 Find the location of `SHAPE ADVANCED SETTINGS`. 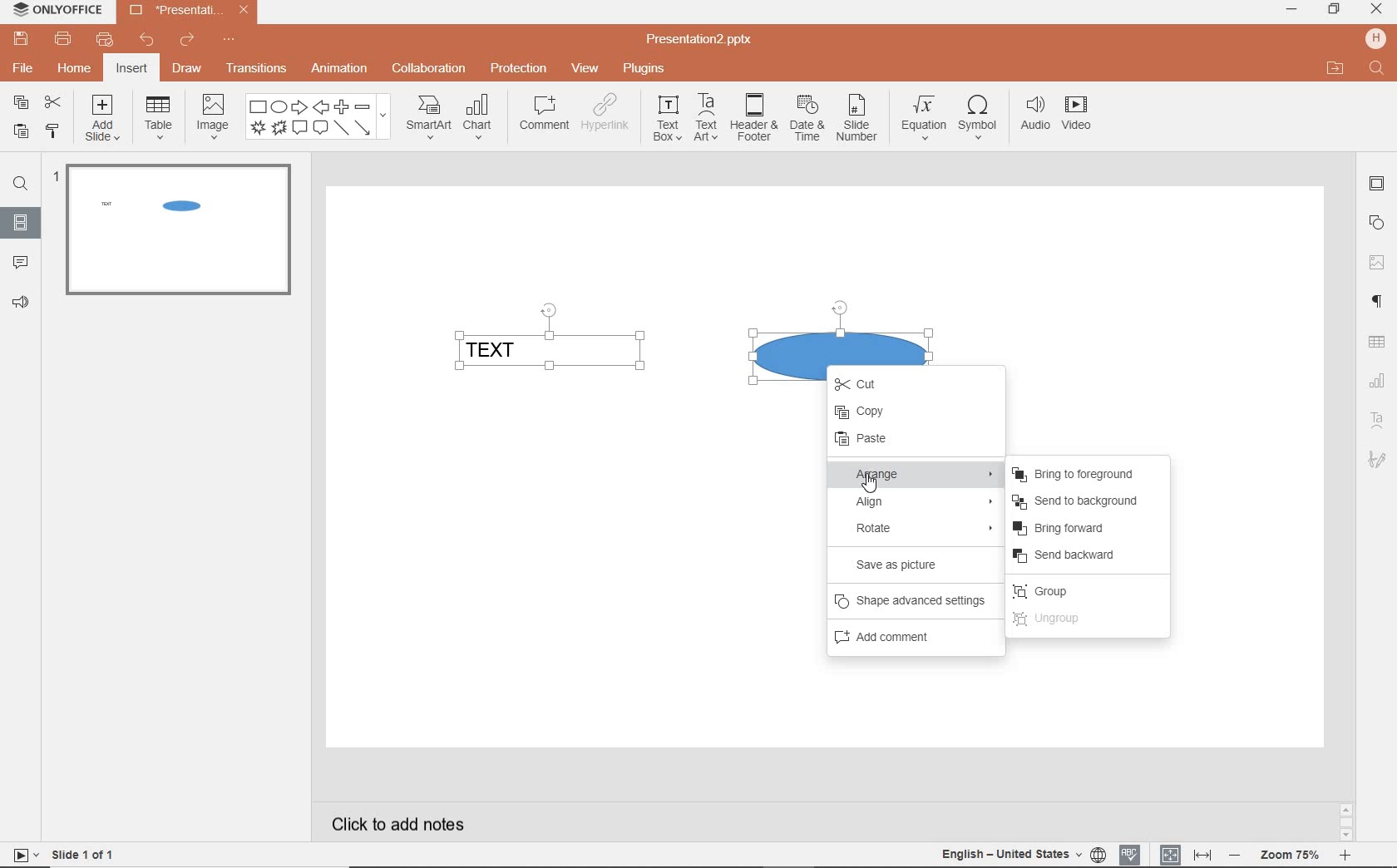

SHAPE ADVANCED SETTINGS is located at coordinates (911, 600).